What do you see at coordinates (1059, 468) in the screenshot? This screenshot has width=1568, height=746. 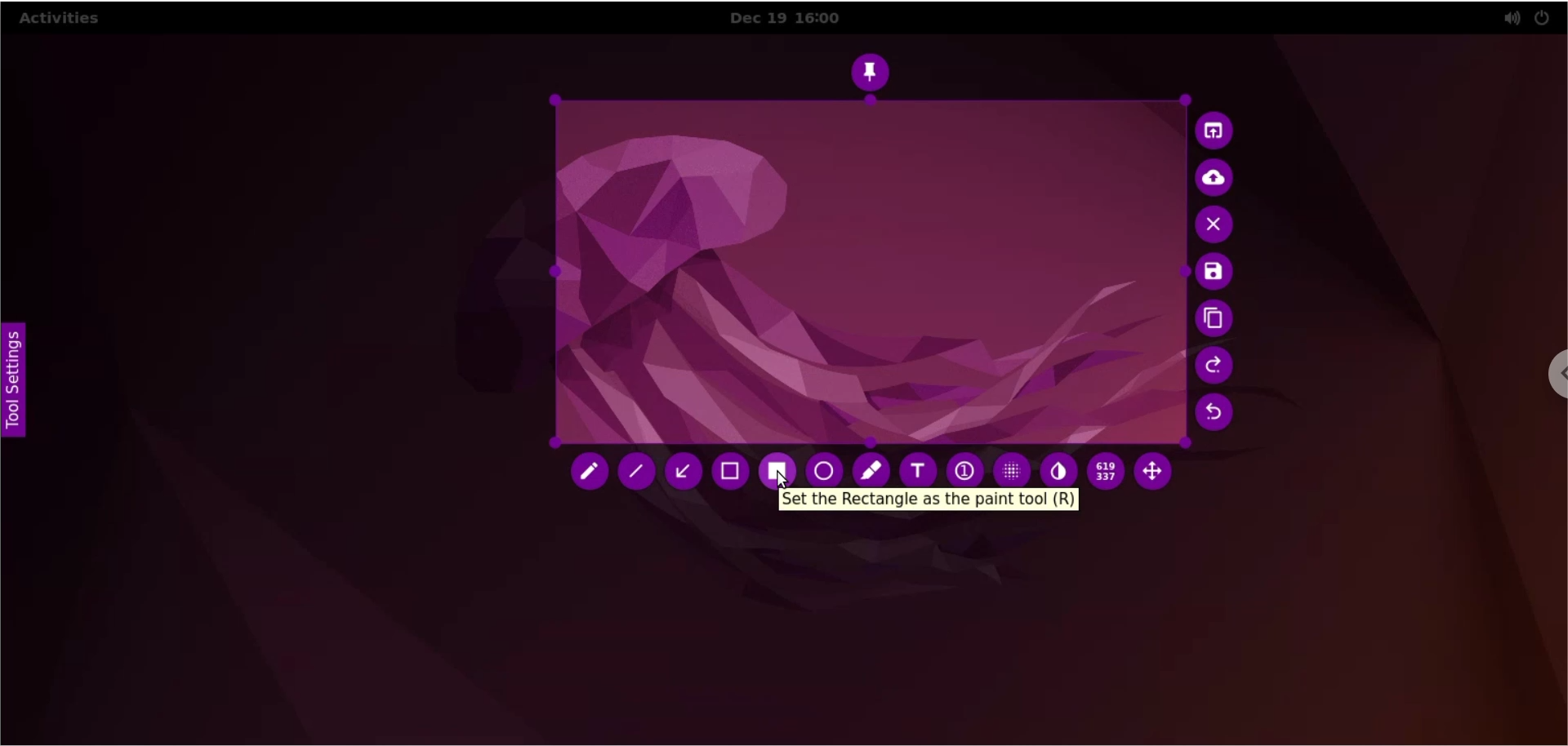 I see `inverter` at bounding box center [1059, 468].